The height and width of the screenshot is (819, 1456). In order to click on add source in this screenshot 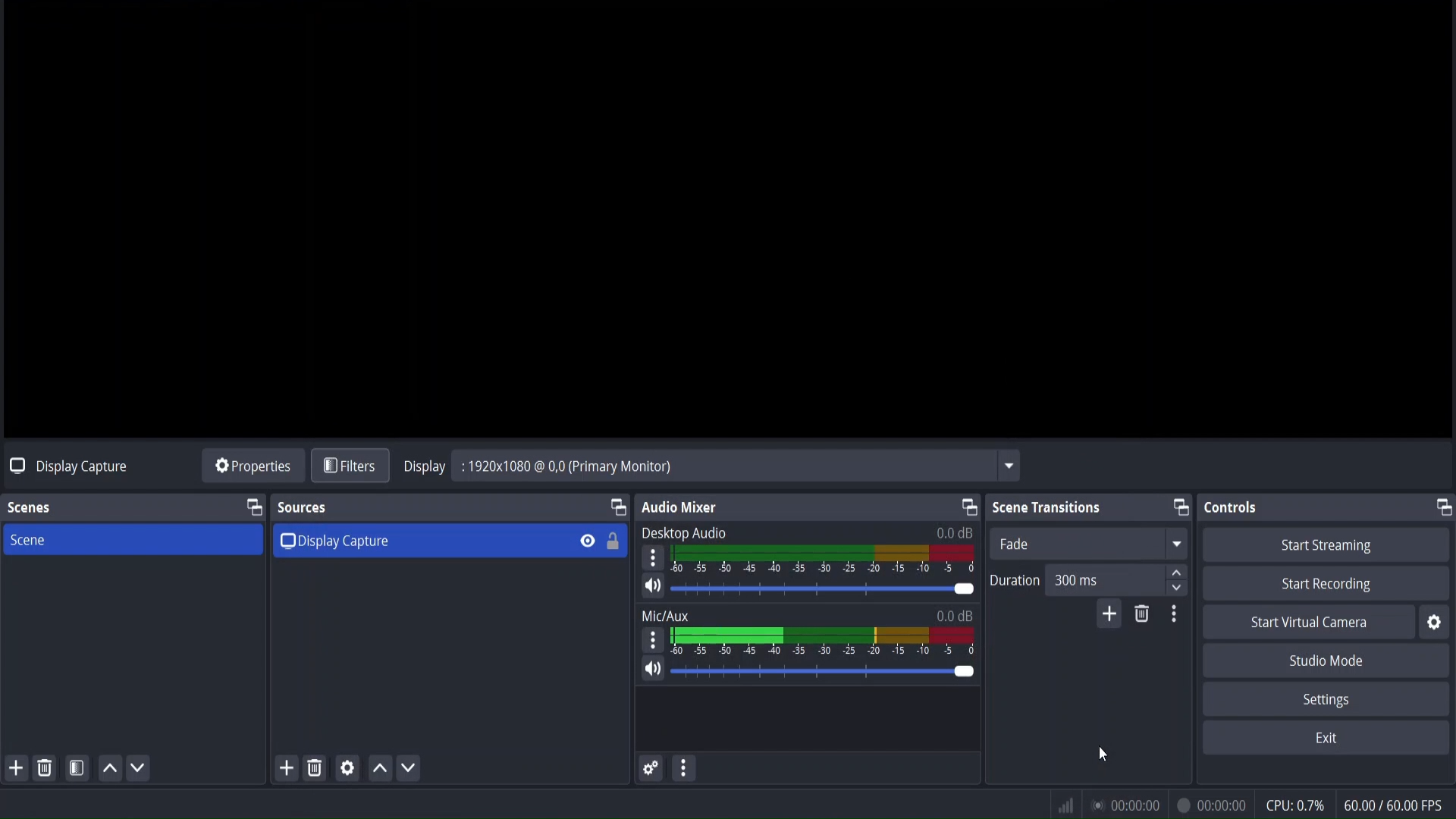, I will do `click(284, 770)`.